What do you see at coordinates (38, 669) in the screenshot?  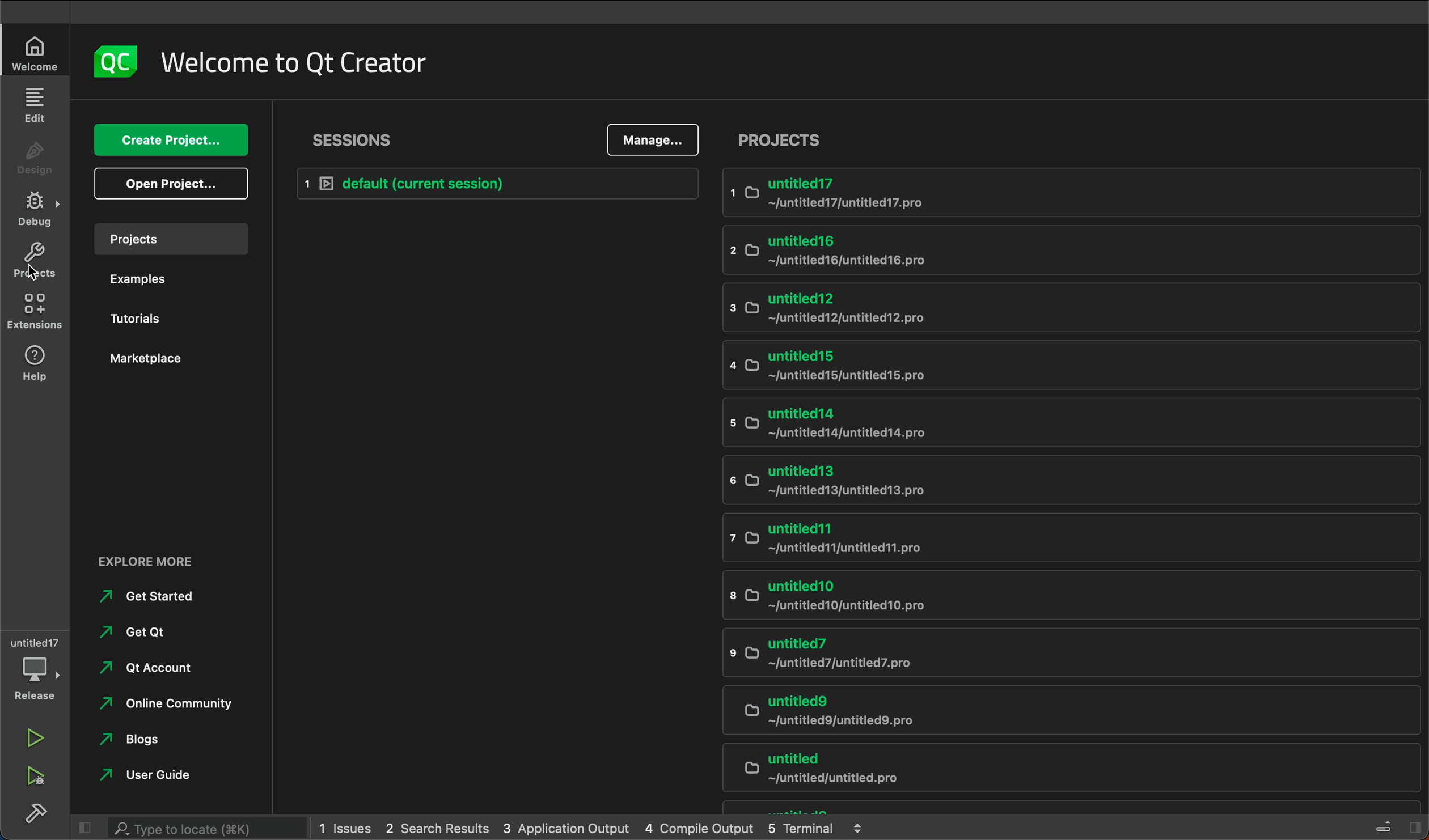 I see `debugger` at bounding box center [38, 669].